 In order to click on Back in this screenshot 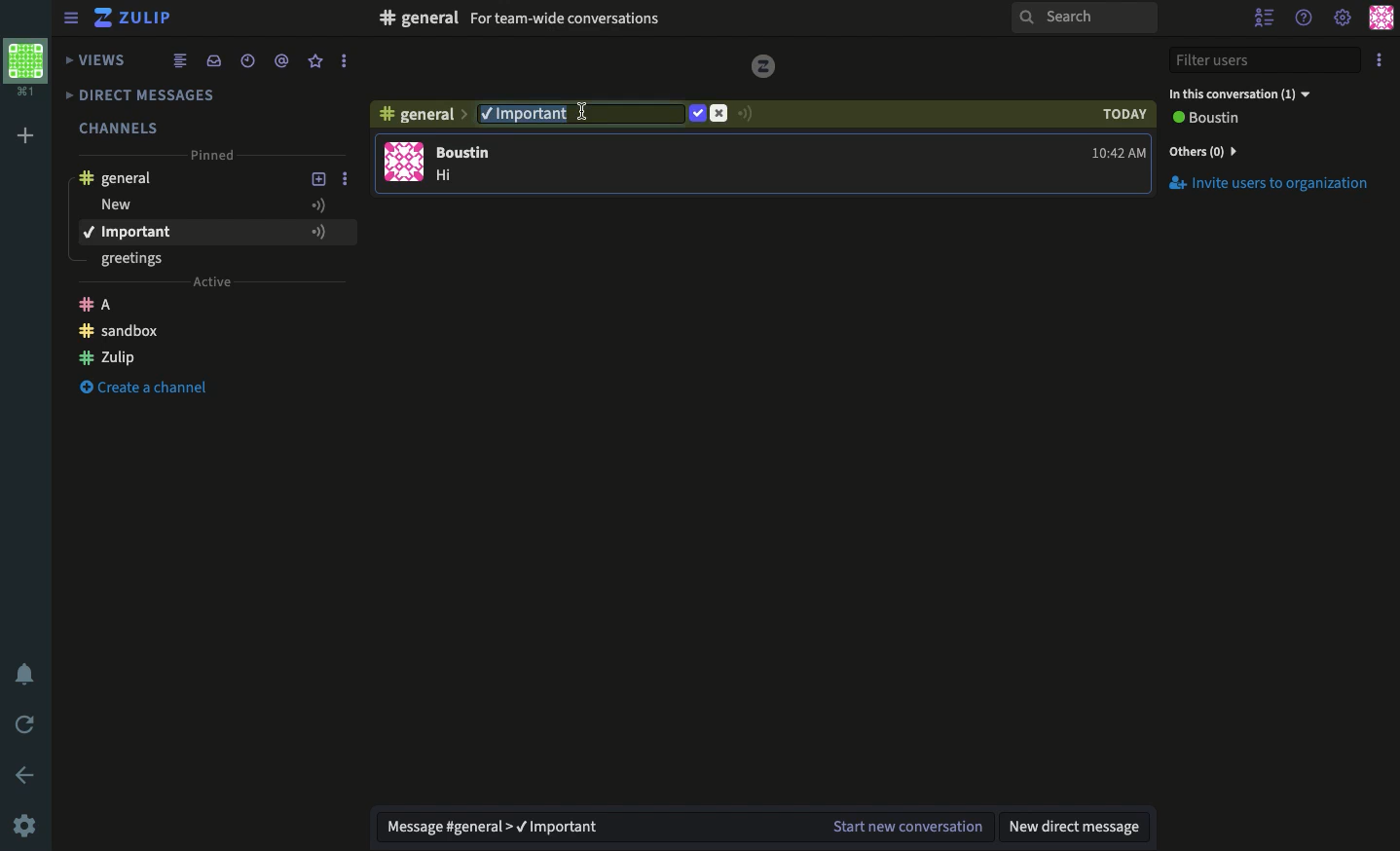, I will do `click(24, 773)`.